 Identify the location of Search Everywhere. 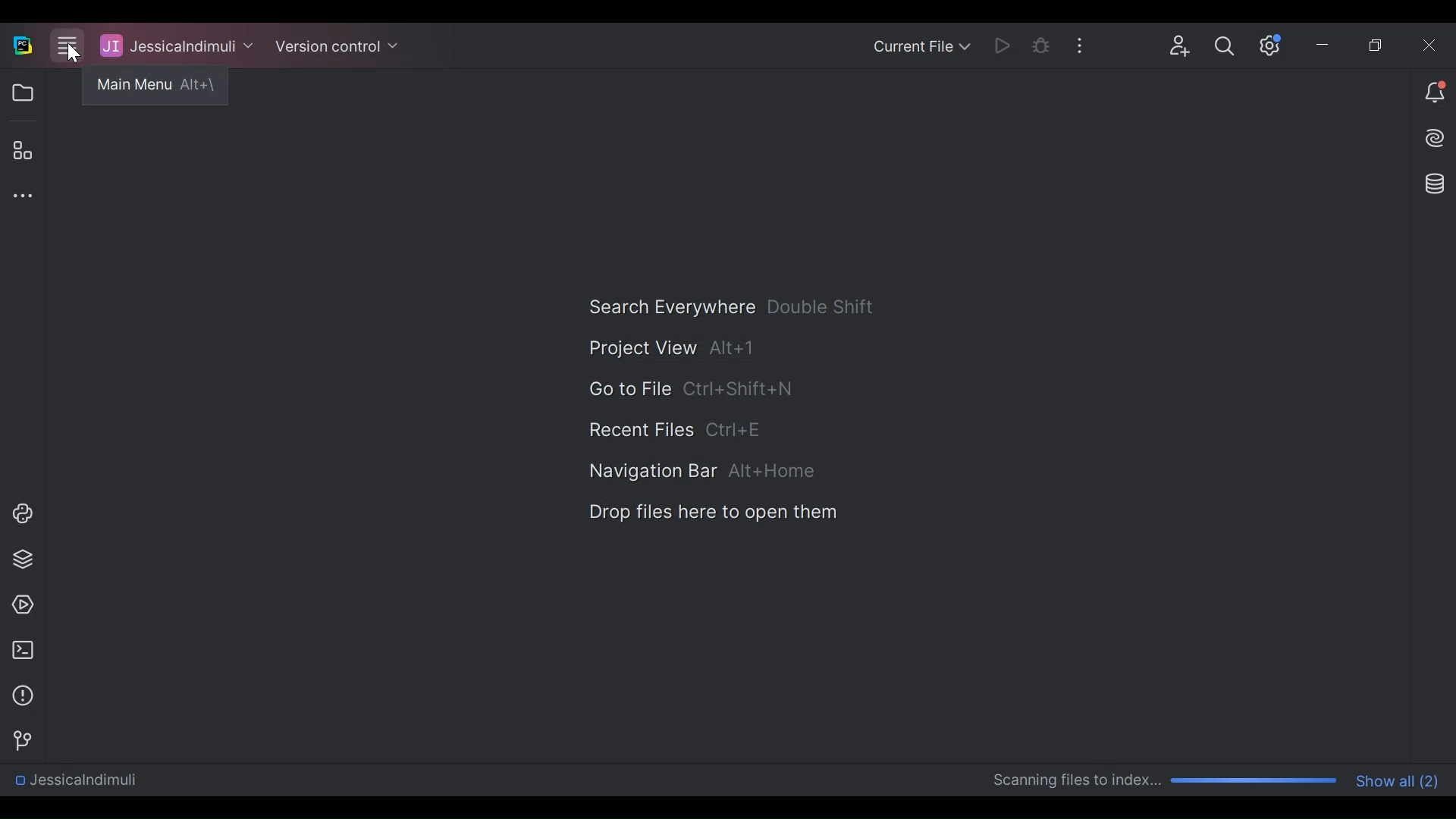
(731, 307).